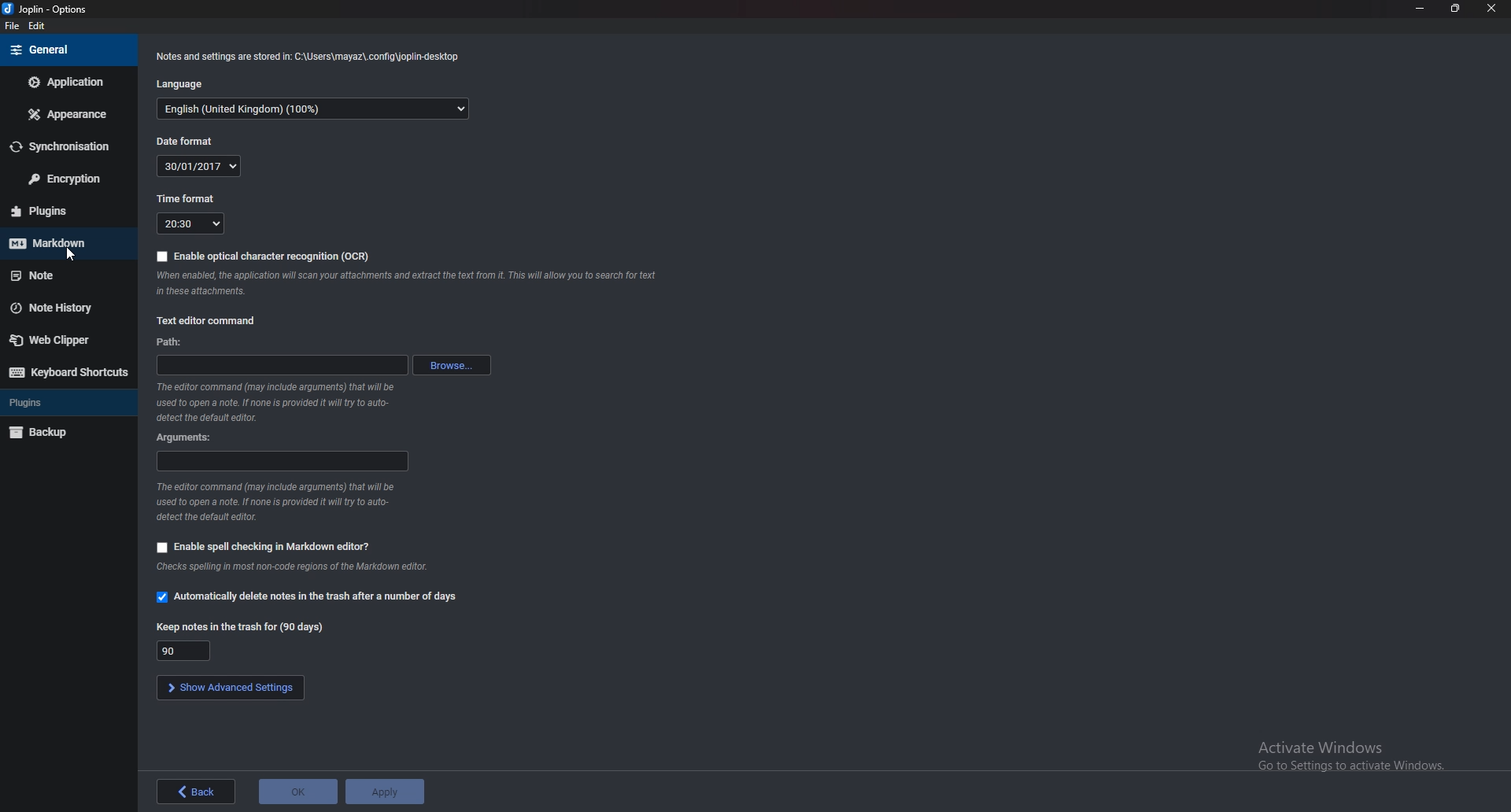  What do you see at coordinates (283, 461) in the screenshot?
I see `Arguments` at bounding box center [283, 461].